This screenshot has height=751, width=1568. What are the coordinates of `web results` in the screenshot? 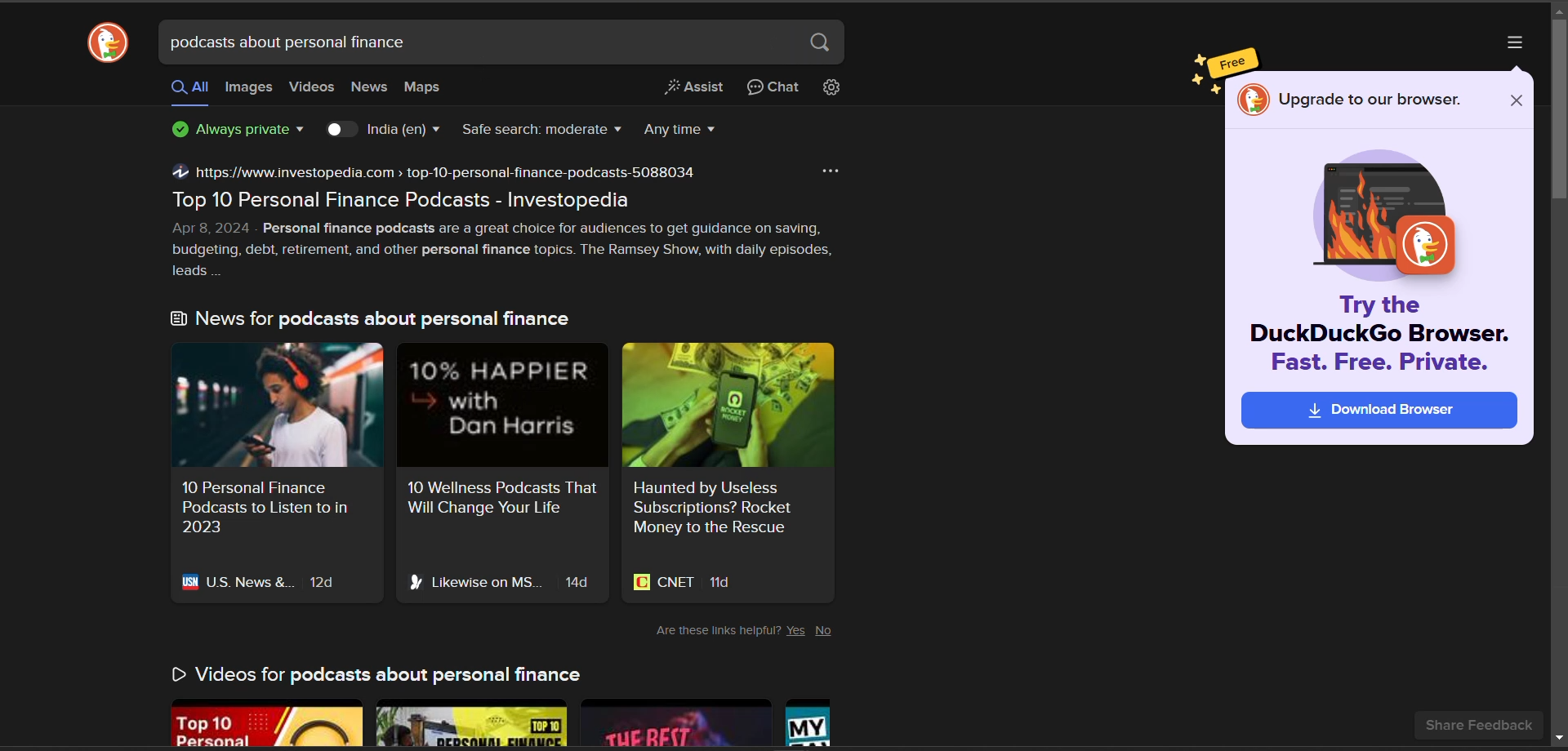 It's located at (514, 453).